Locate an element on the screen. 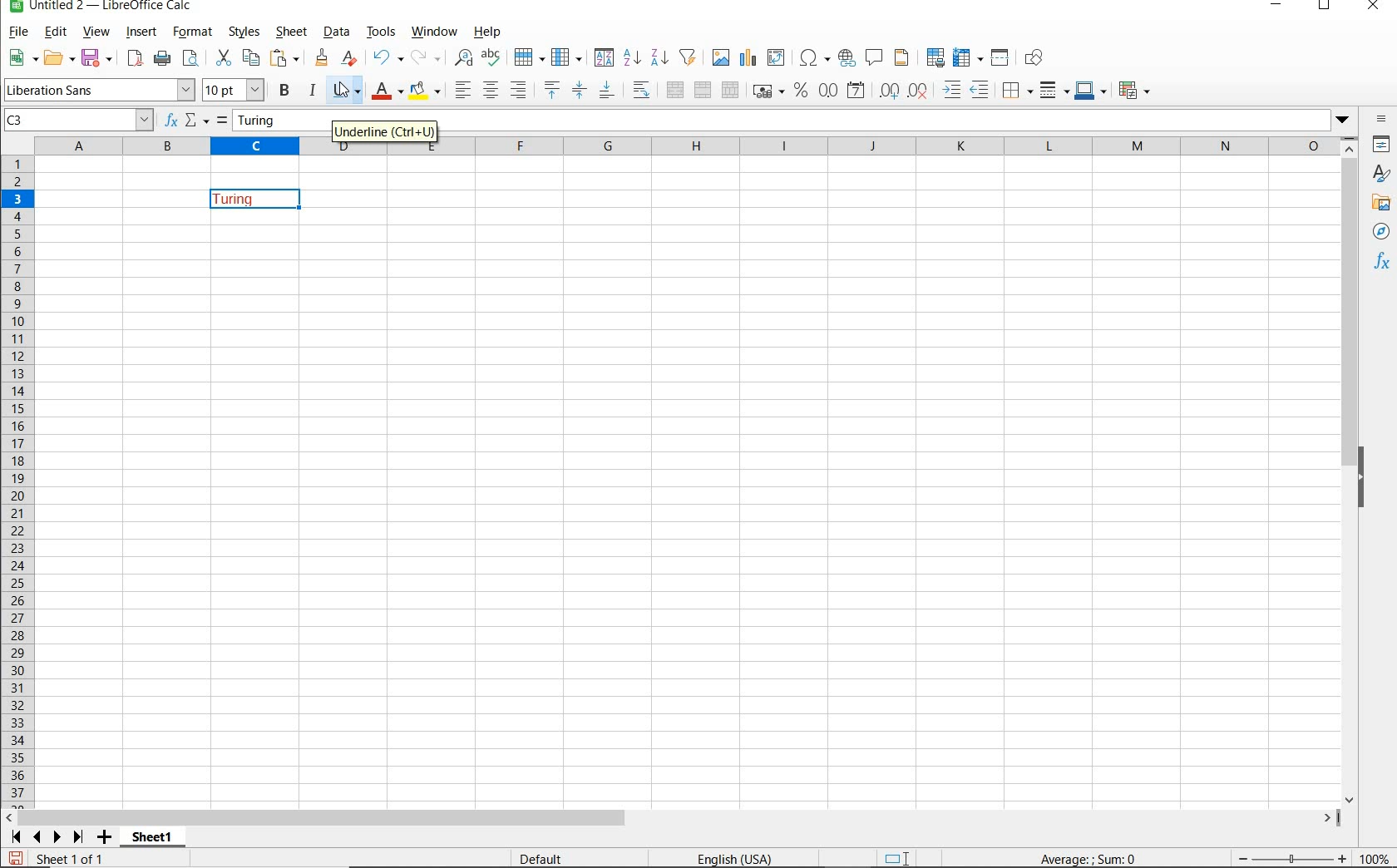  ZOOM FACTOR is located at coordinates (1377, 856).